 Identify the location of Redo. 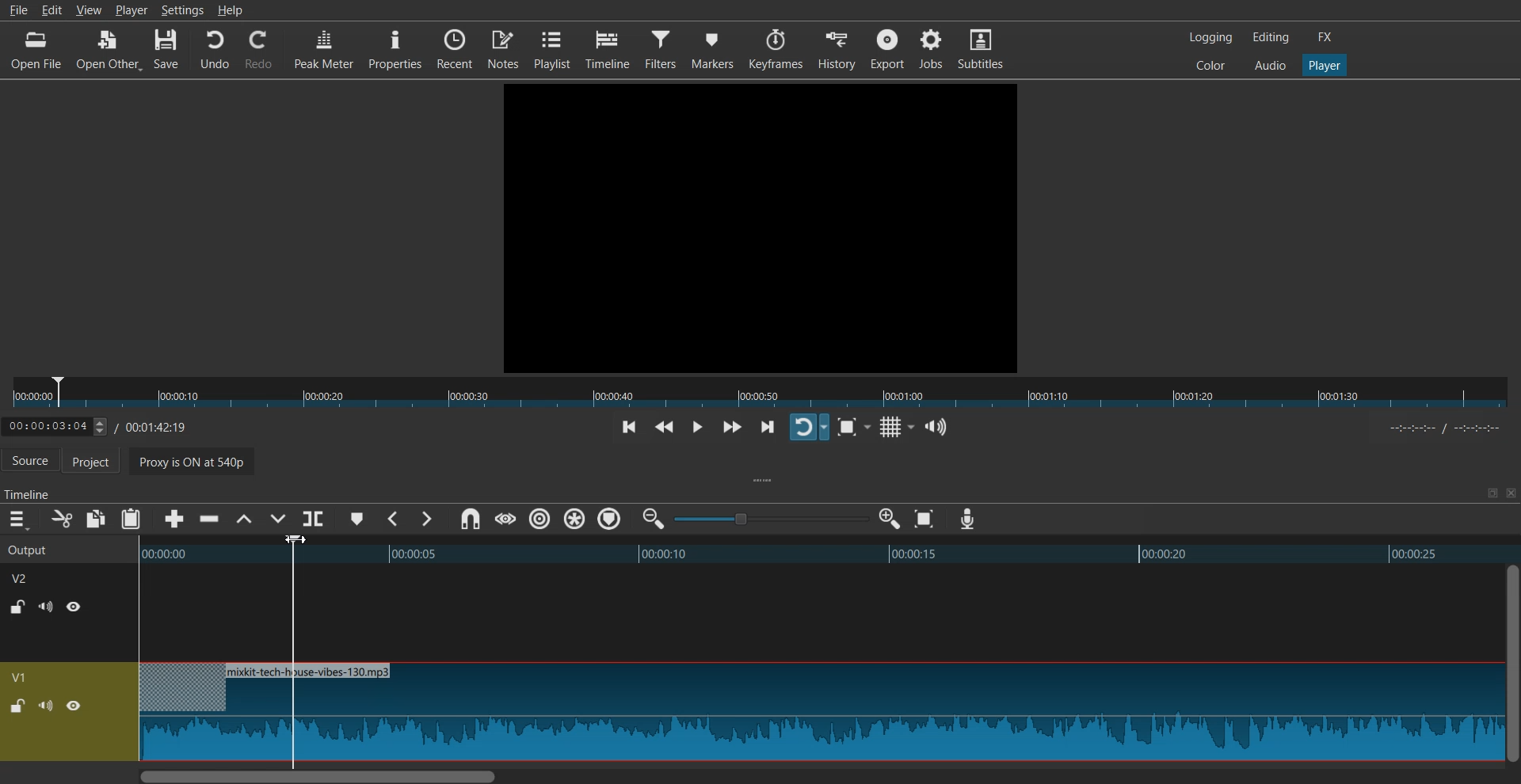
(259, 50).